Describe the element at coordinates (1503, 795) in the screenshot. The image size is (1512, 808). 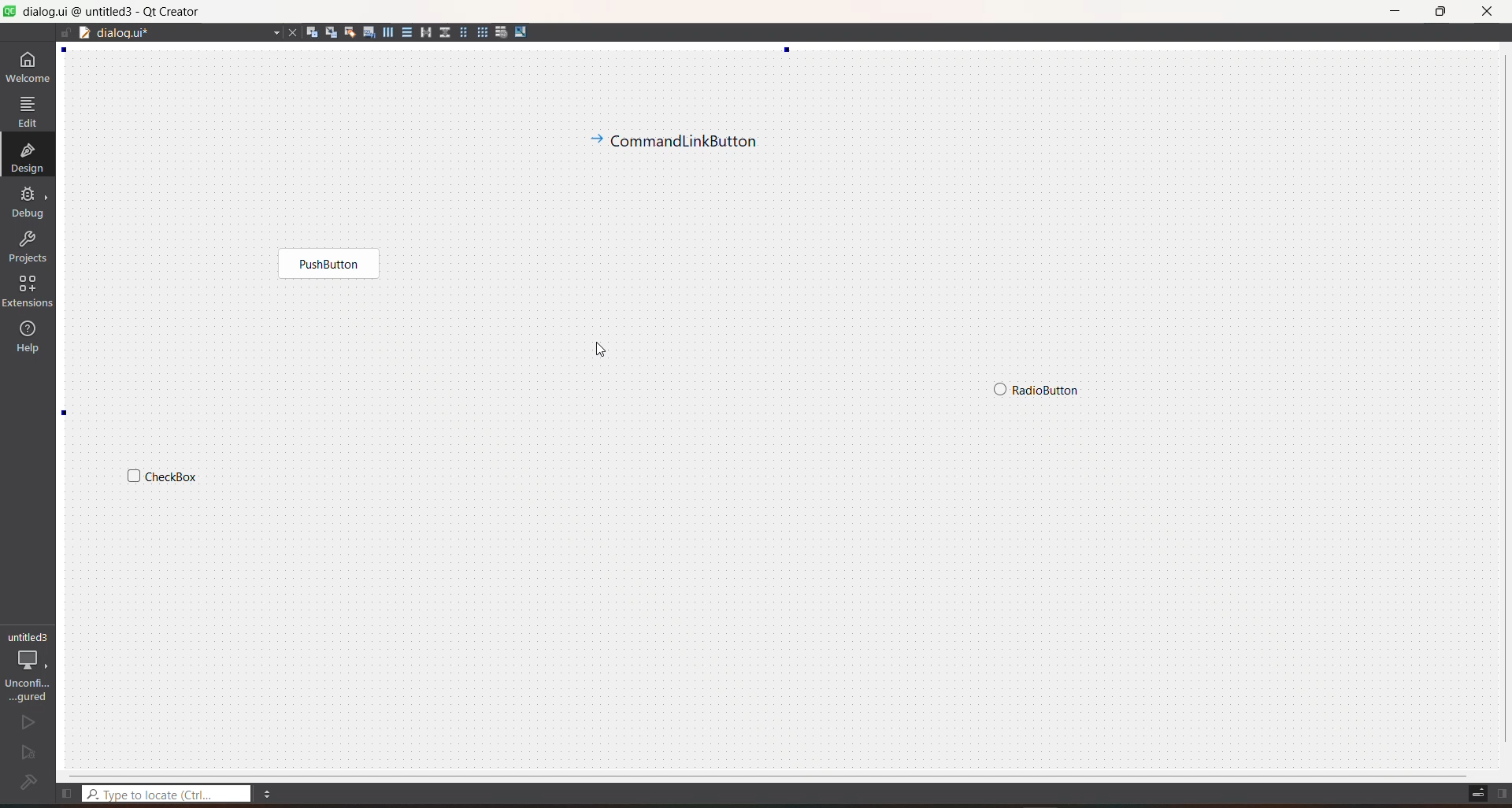
I see `show right sidebar` at that location.